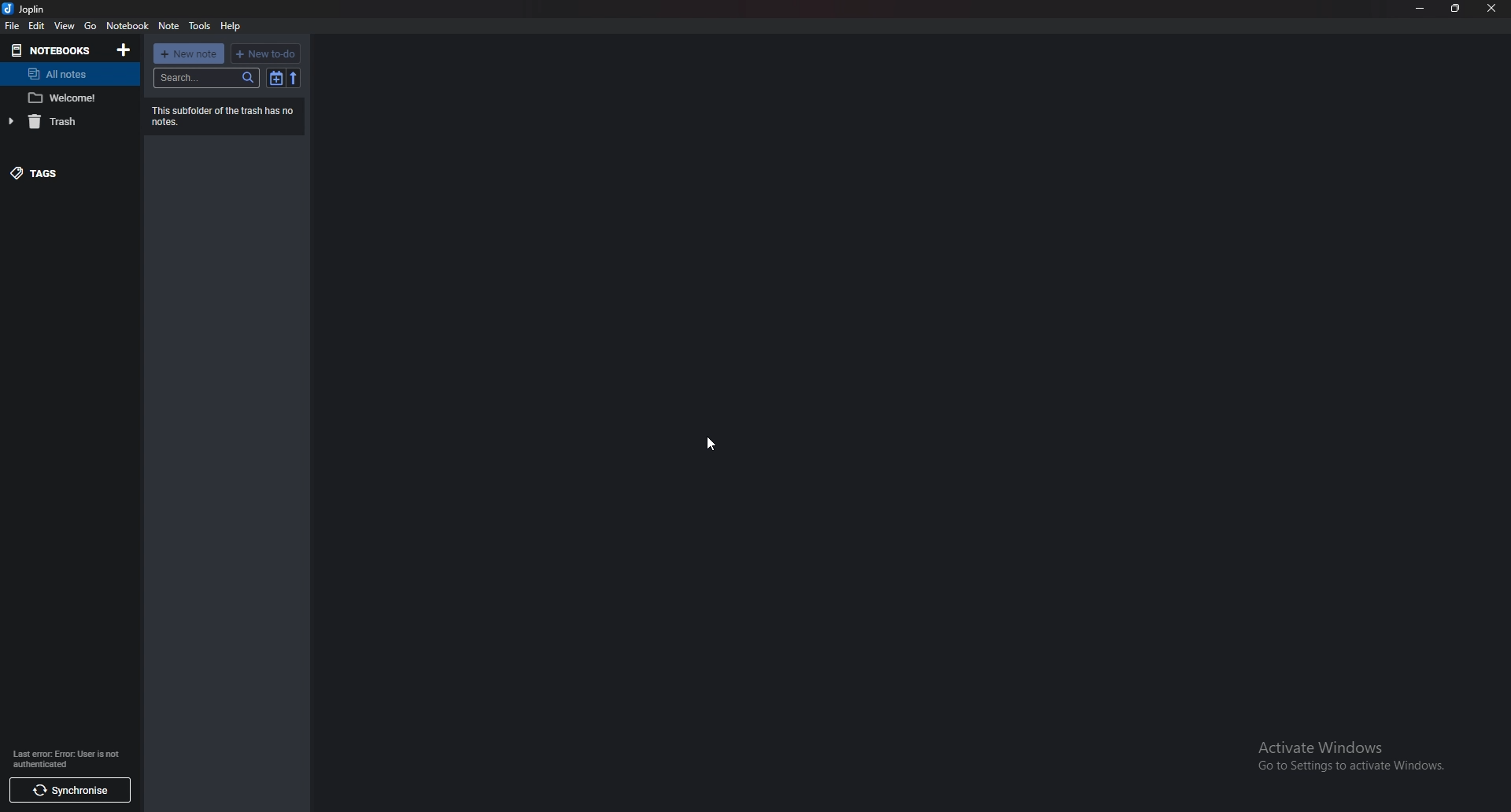 The width and height of the screenshot is (1511, 812). Describe the element at coordinates (61, 172) in the screenshot. I see `tags` at that location.